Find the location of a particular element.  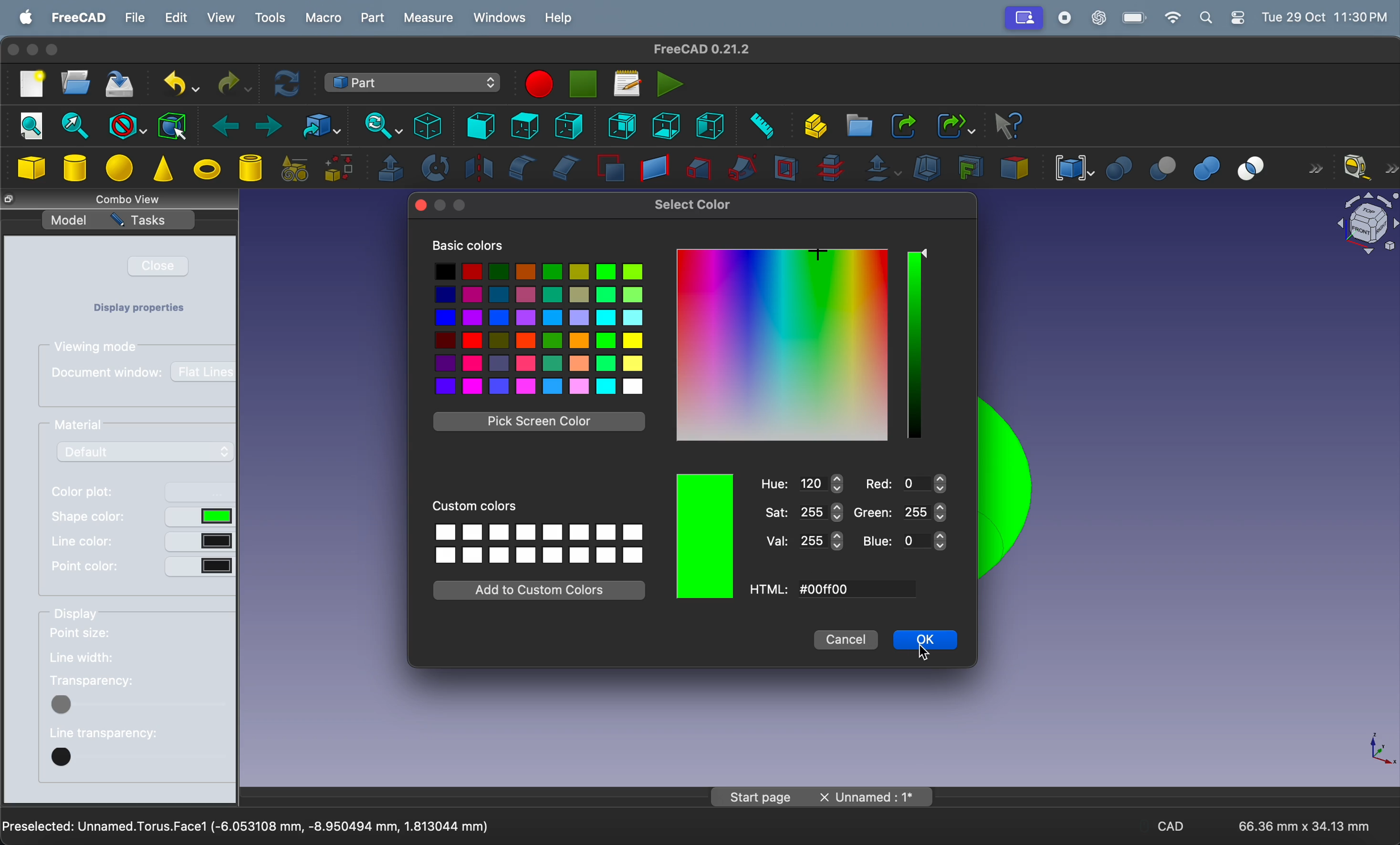

undo is located at coordinates (181, 84).